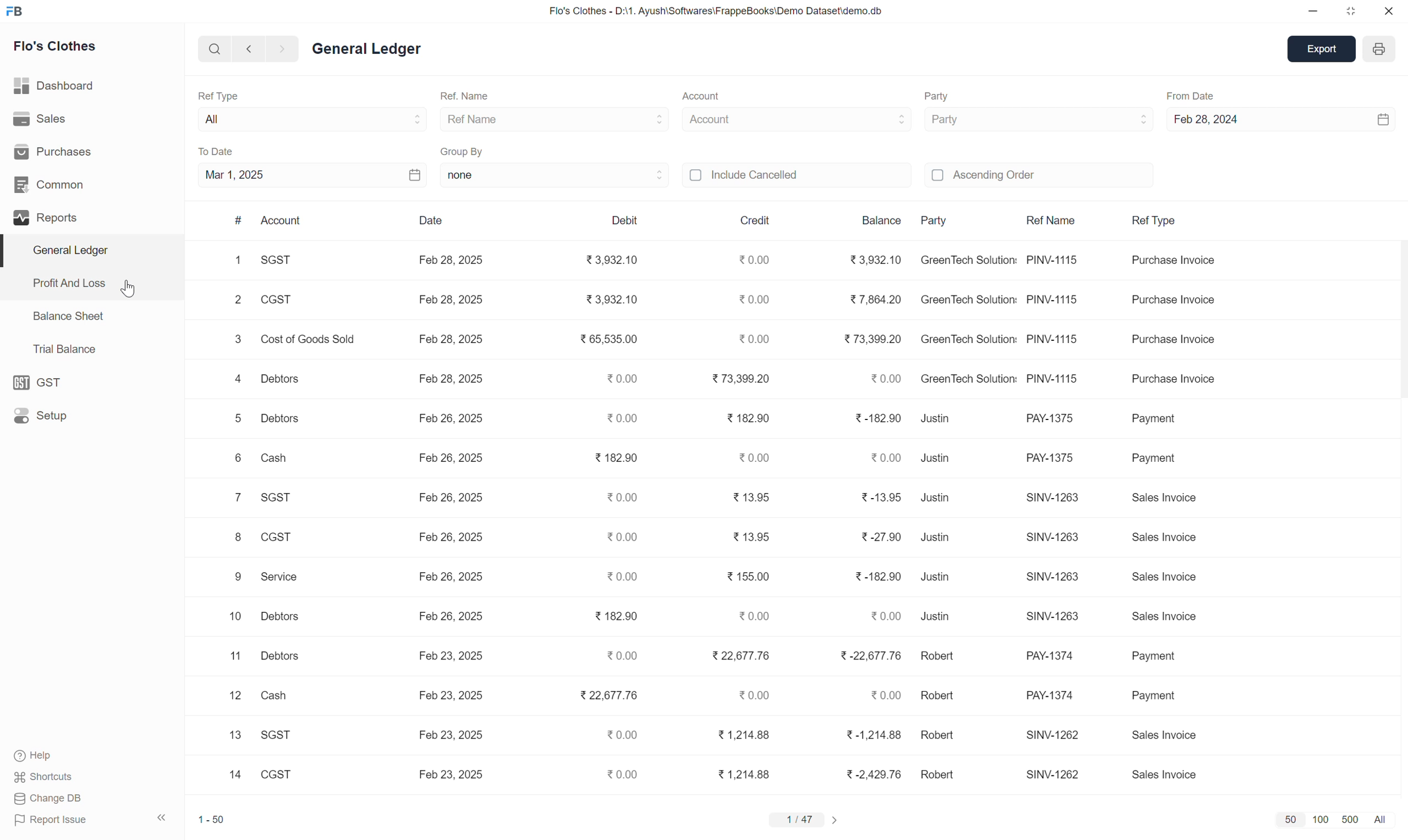 The image size is (1408, 840). Describe the element at coordinates (450, 579) in the screenshot. I see `Feb 26, 2025` at that location.